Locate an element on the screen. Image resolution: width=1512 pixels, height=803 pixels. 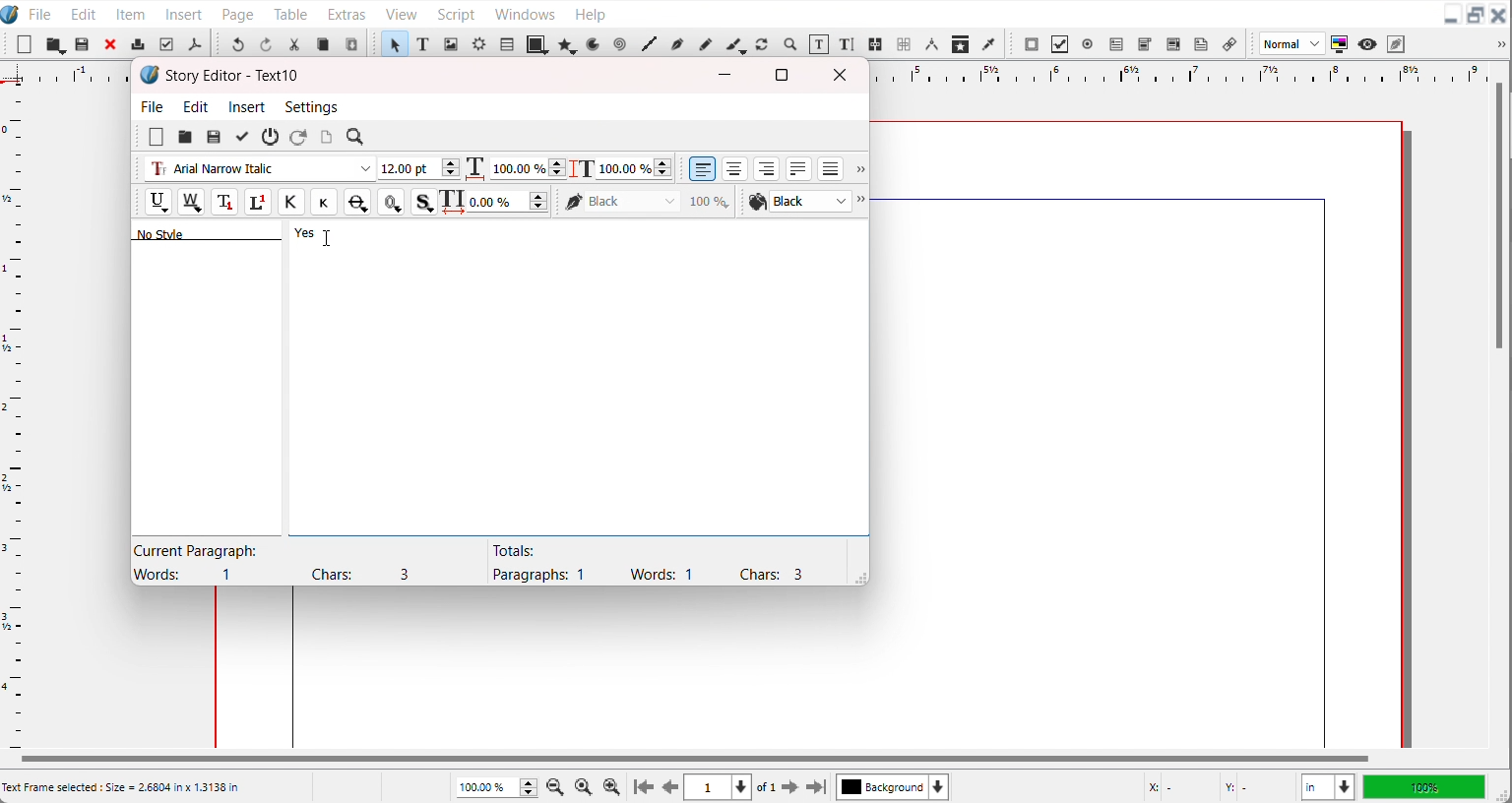
Drop down box is located at coordinates (1498, 44).